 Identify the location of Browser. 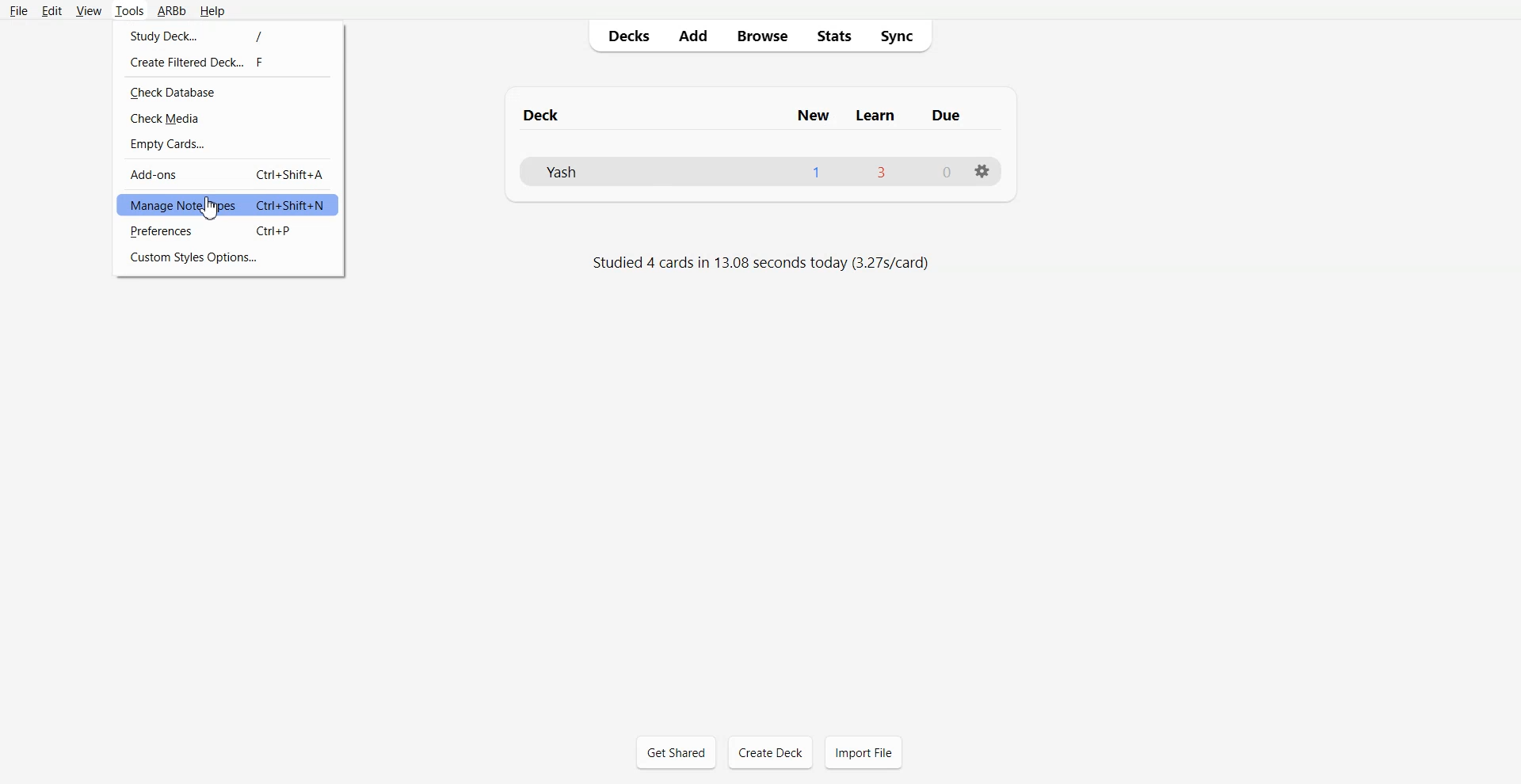
(760, 35).